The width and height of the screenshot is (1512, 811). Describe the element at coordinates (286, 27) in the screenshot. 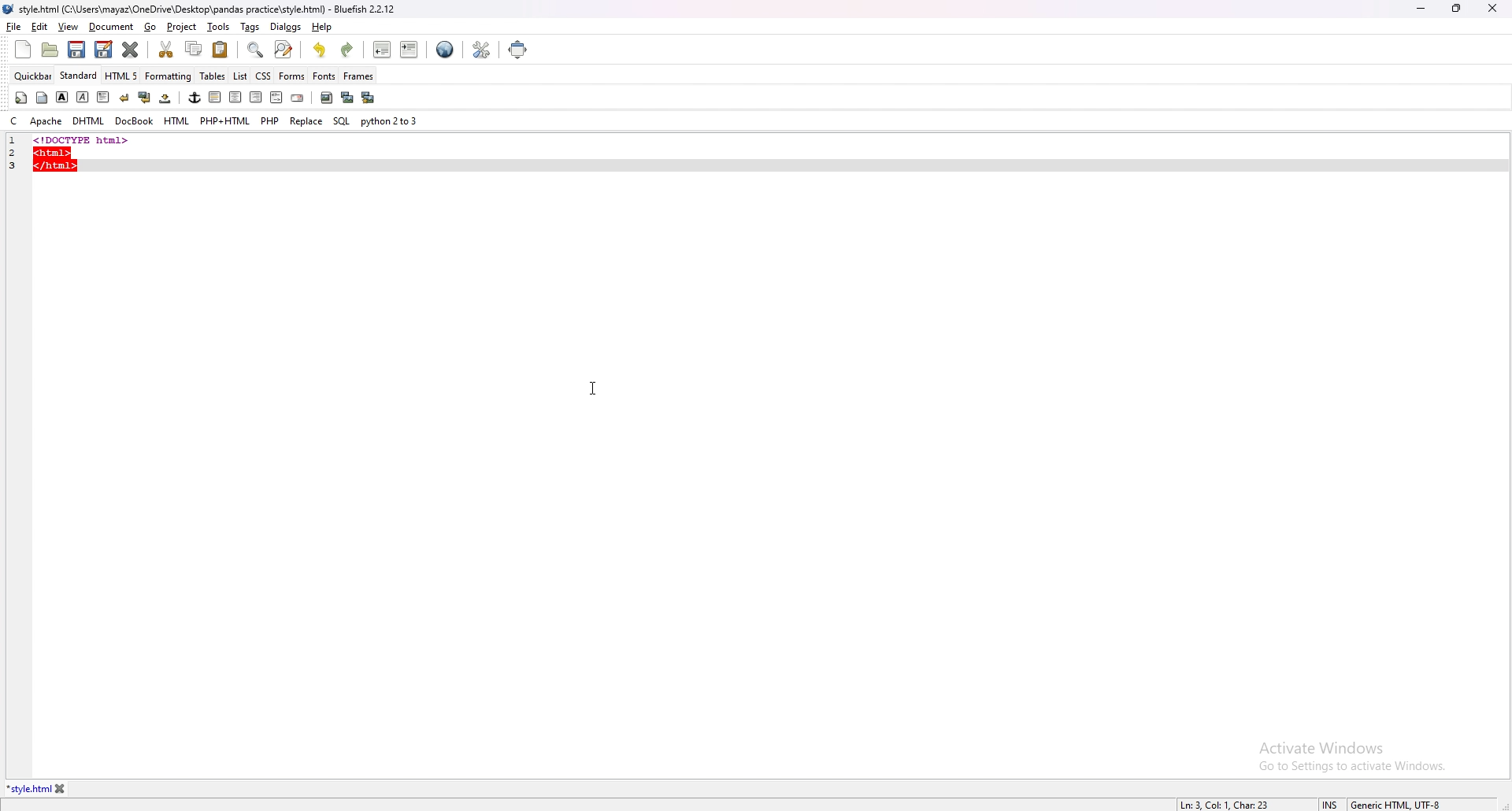

I see `dialogs` at that location.